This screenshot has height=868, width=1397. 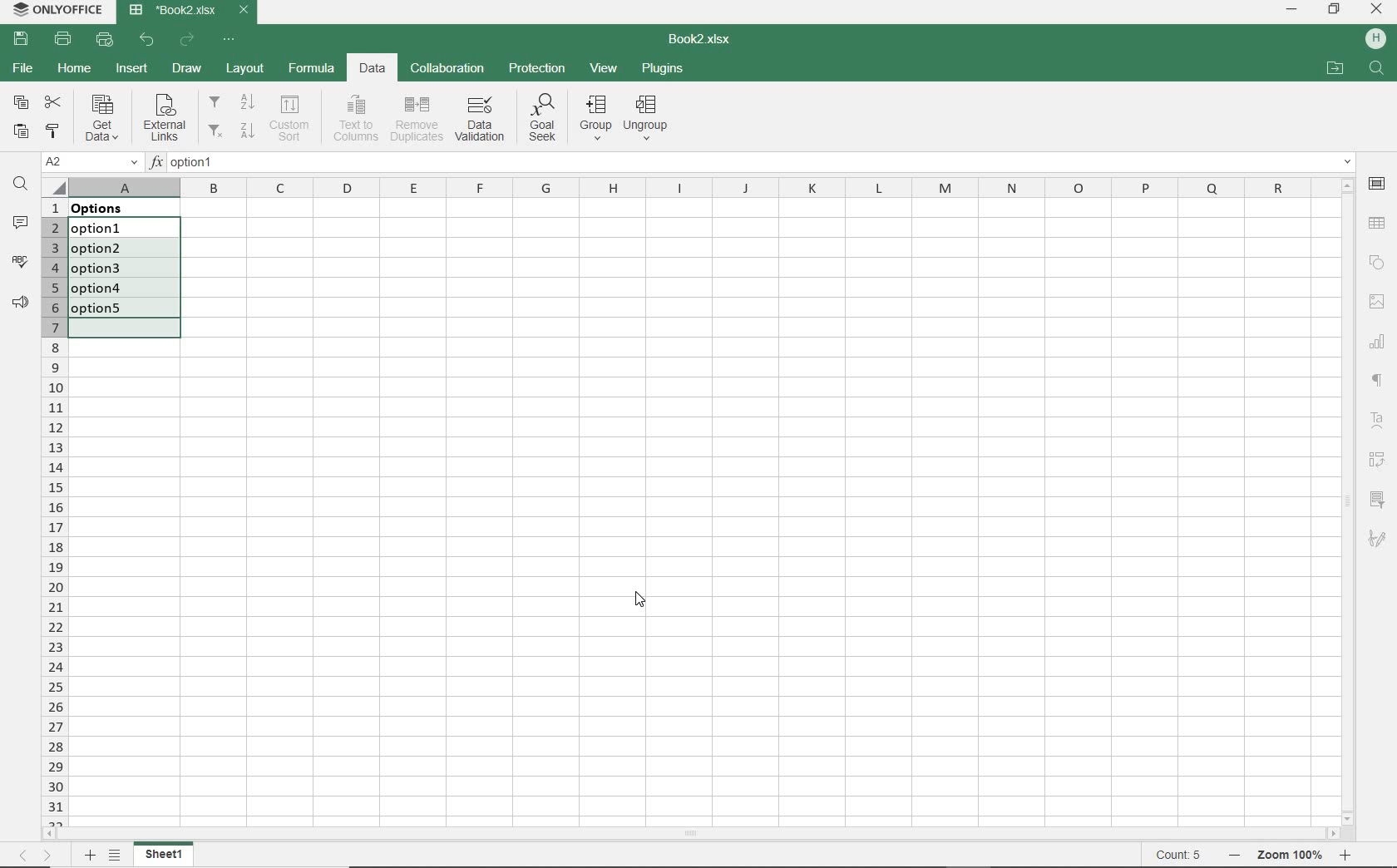 I want to click on COLLABORATION, so click(x=448, y=67).